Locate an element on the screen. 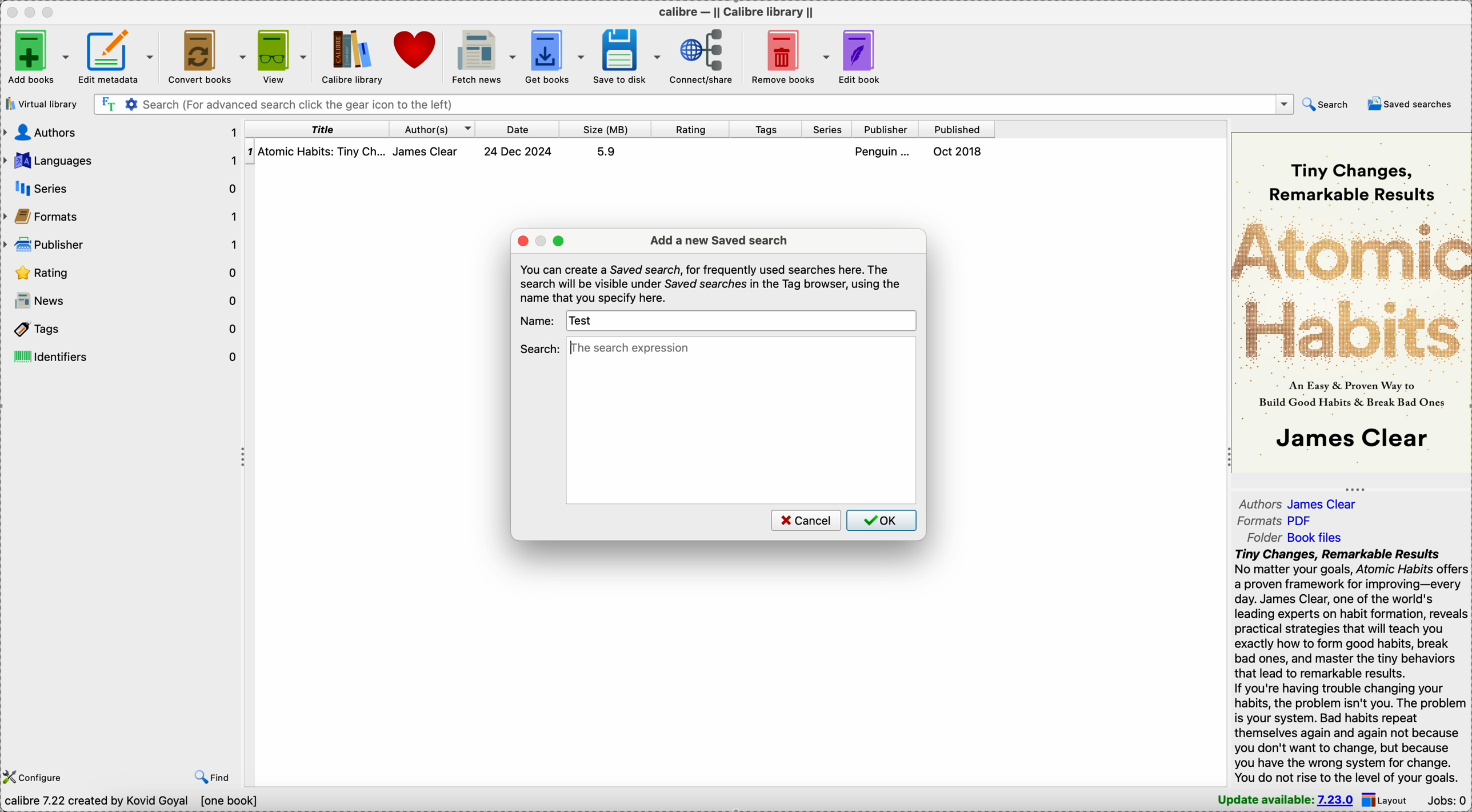 This screenshot has width=1472, height=812. You can create a Saved search, for frequently used searches here. The search will be visible under Saved searches in the Tag browser, using the name that you specify here. is located at coordinates (711, 283).